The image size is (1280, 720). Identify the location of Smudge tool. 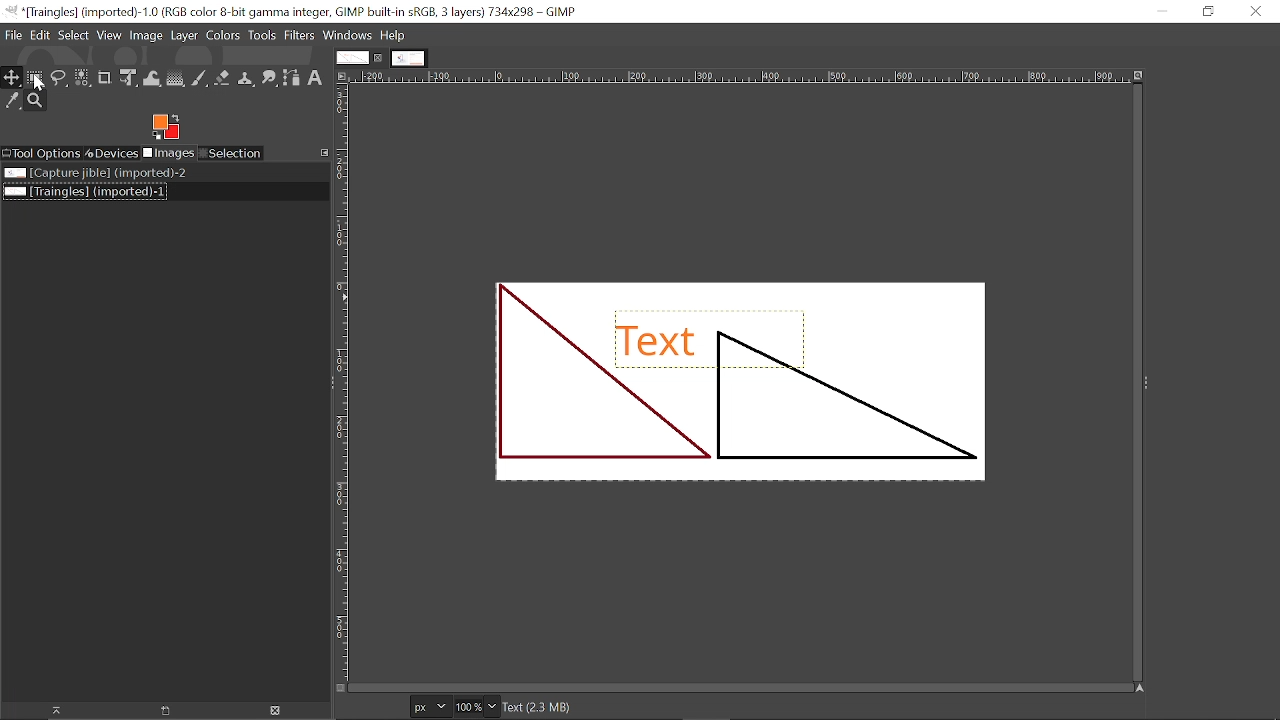
(270, 80).